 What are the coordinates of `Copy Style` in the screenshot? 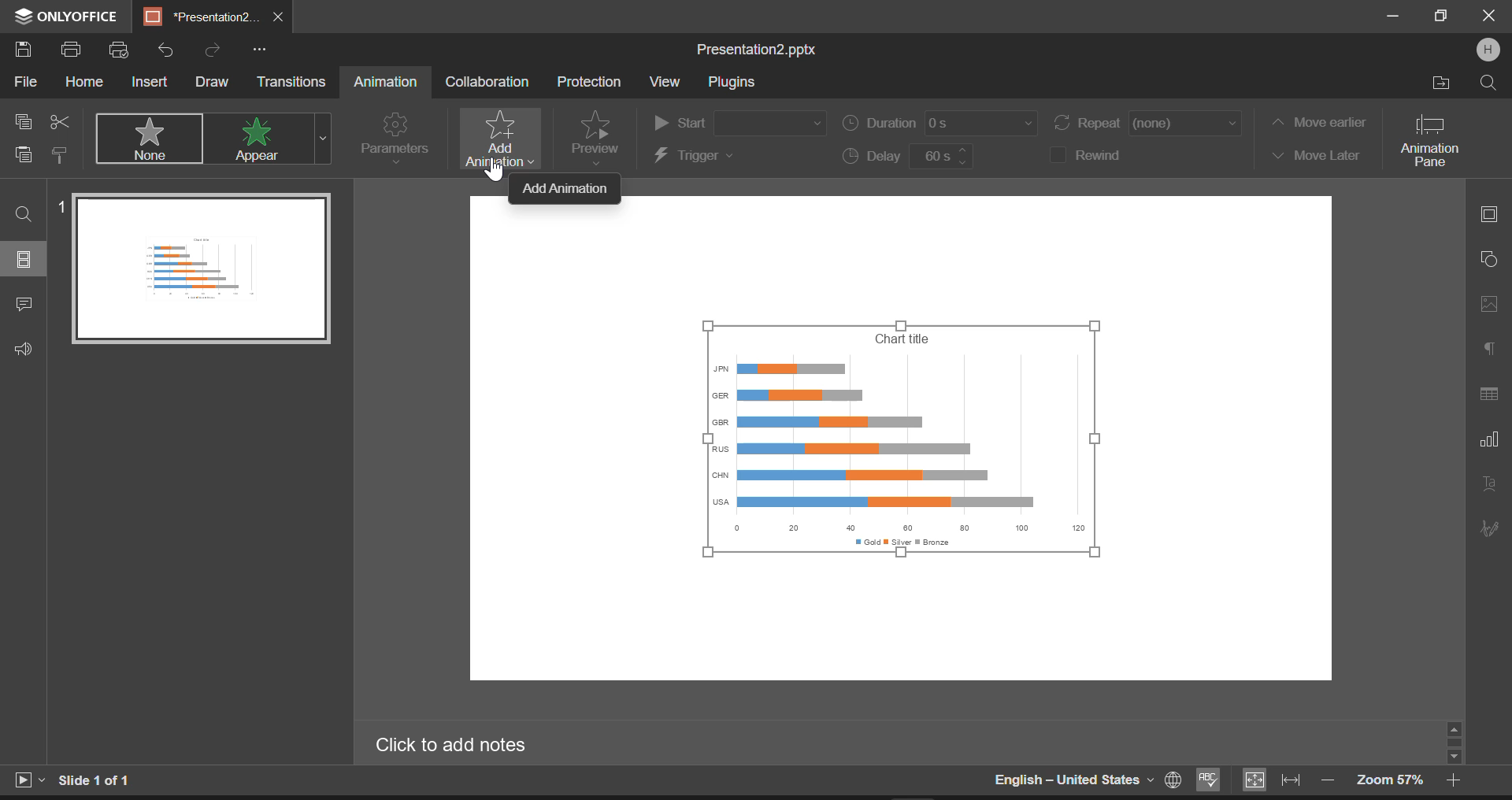 It's located at (61, 157).